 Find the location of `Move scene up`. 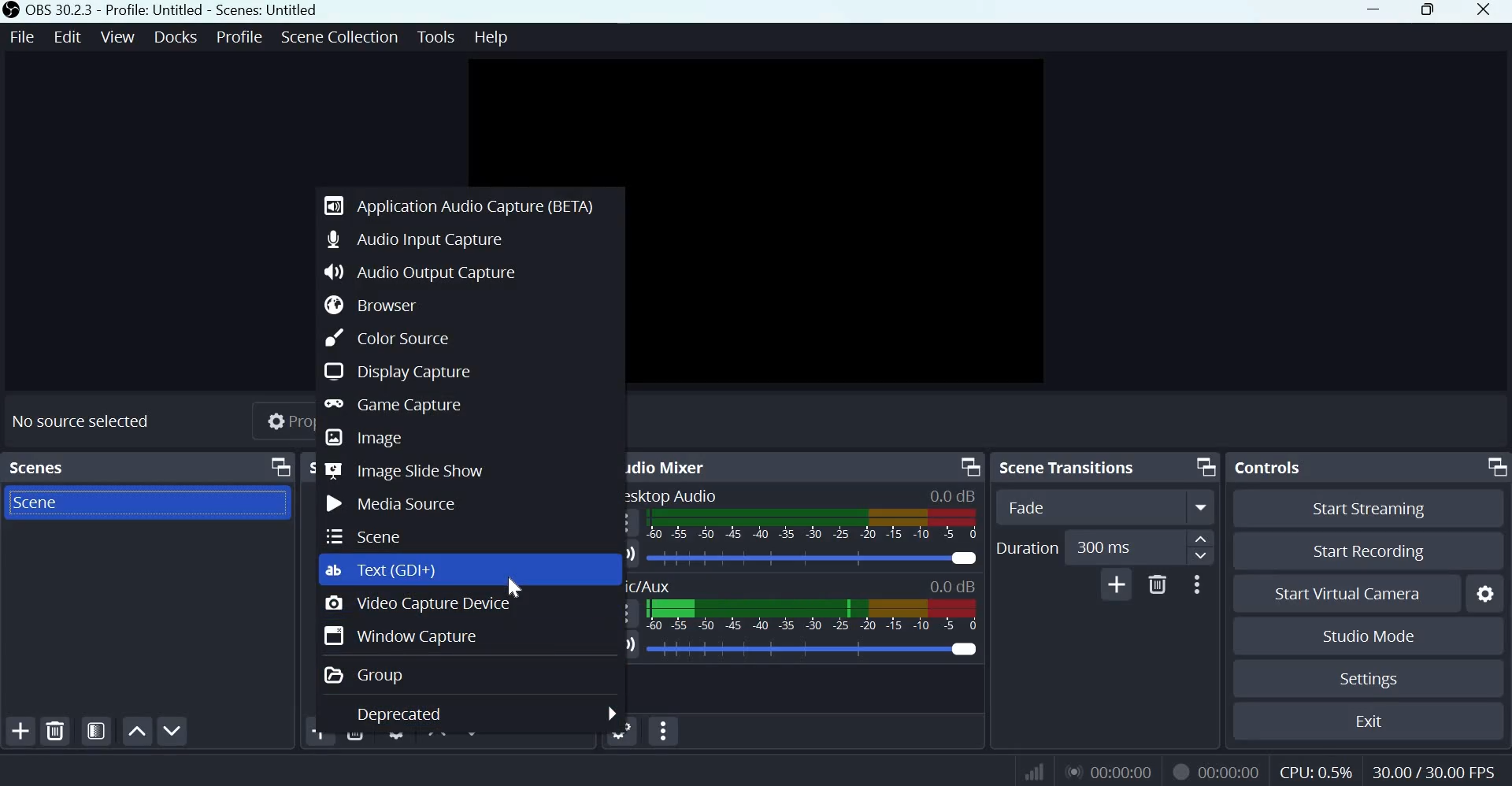

Move scene up is located at coordinates (136, 731).